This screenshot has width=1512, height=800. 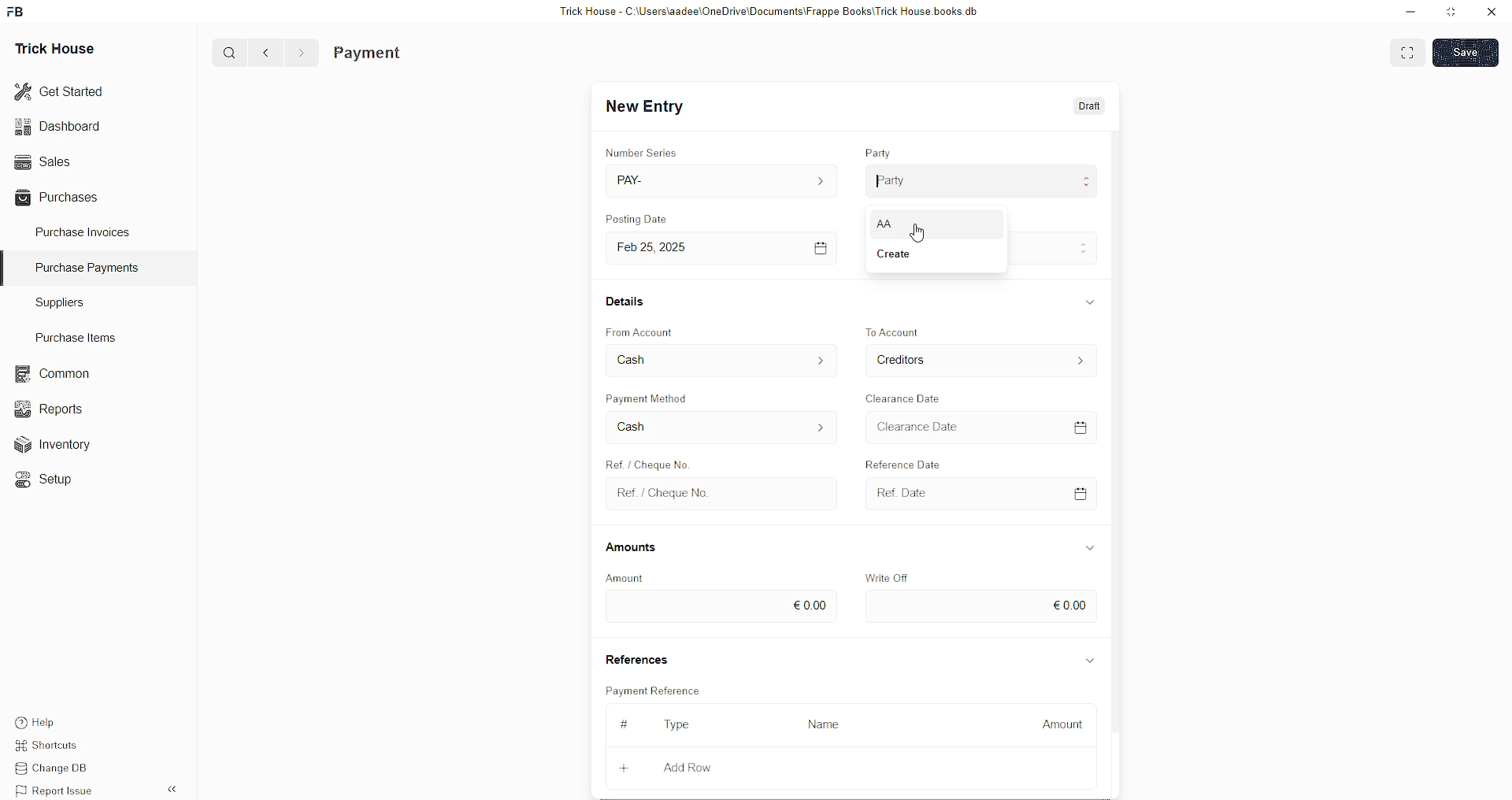 What do you see at coordinates (906, 397) in the screenshot?
I see `Clearance Date` at bounding box center [906, 397].